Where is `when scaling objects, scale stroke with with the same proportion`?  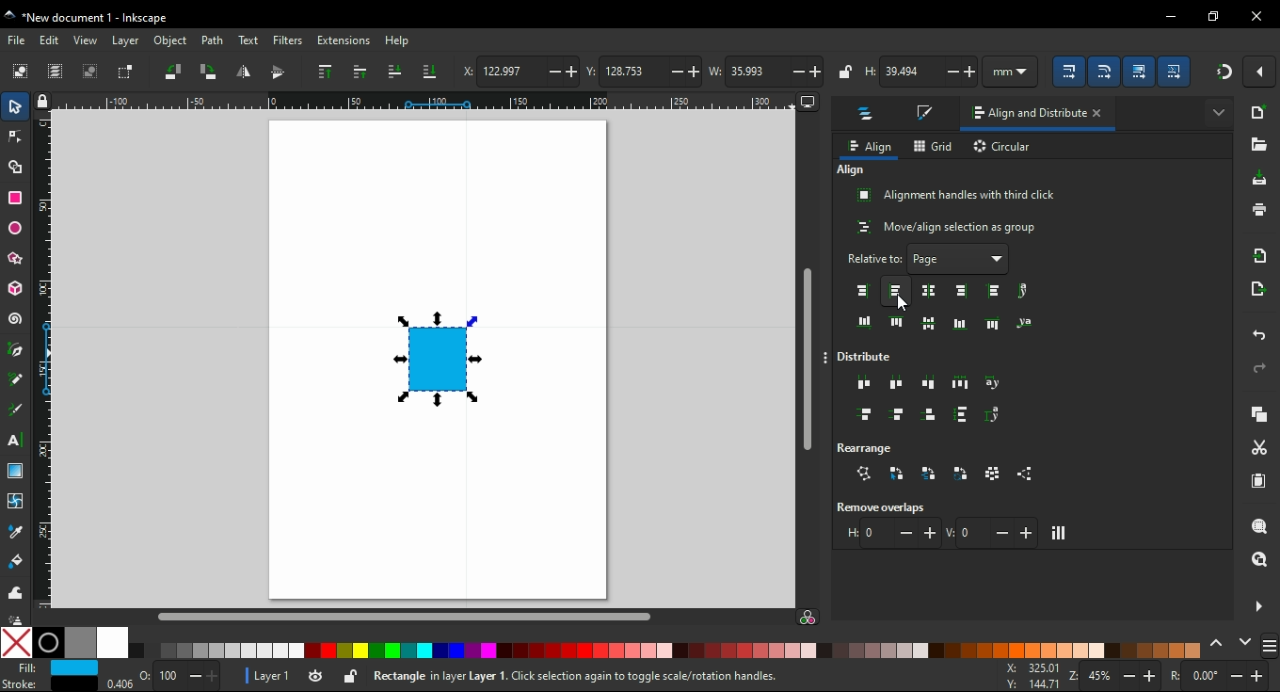 when scaling objects, scale stroke with with the same proportion is located at coordinates (1071, 73).